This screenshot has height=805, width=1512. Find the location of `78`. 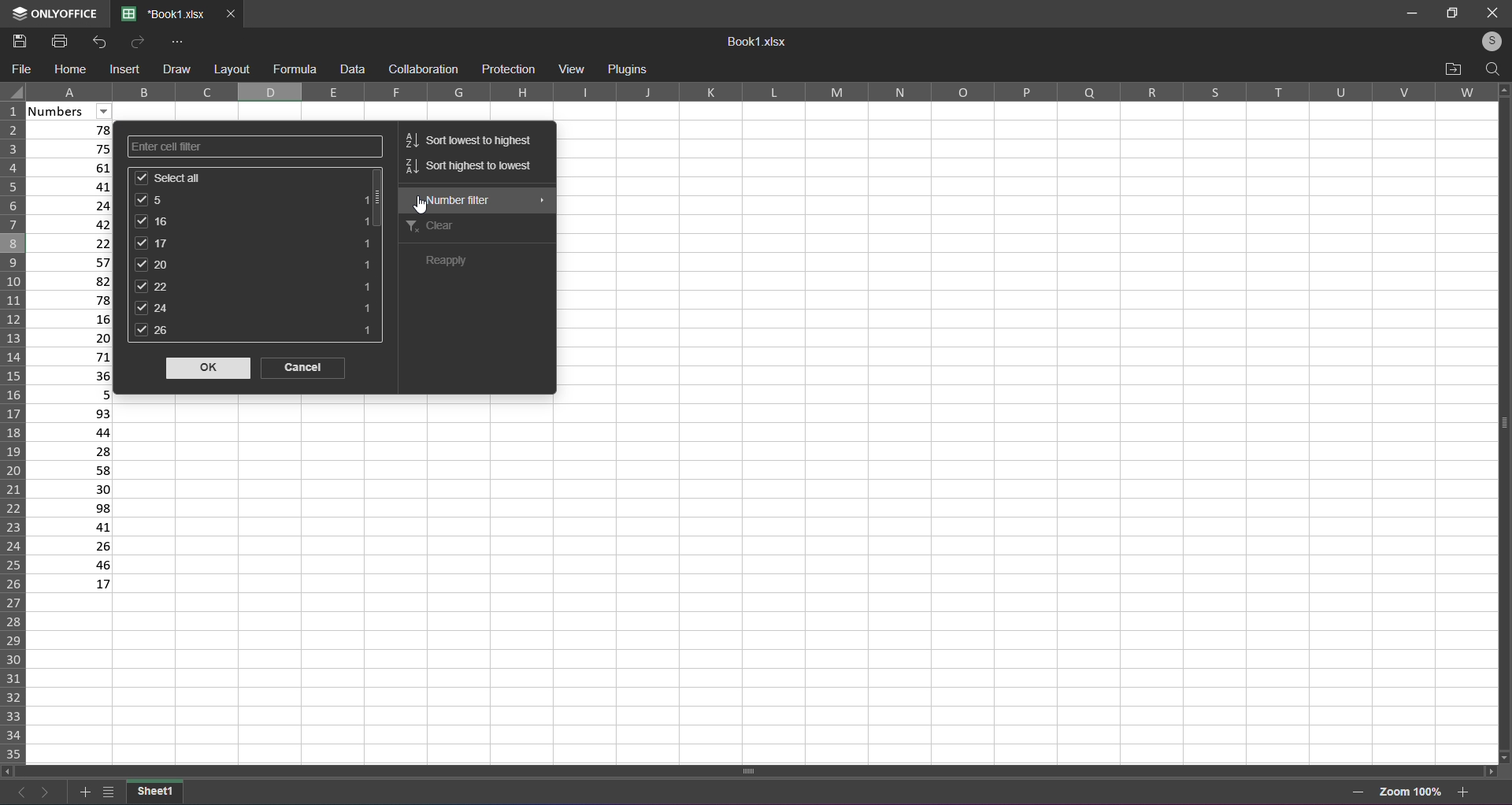

78 is located at coordinates (74, 299).